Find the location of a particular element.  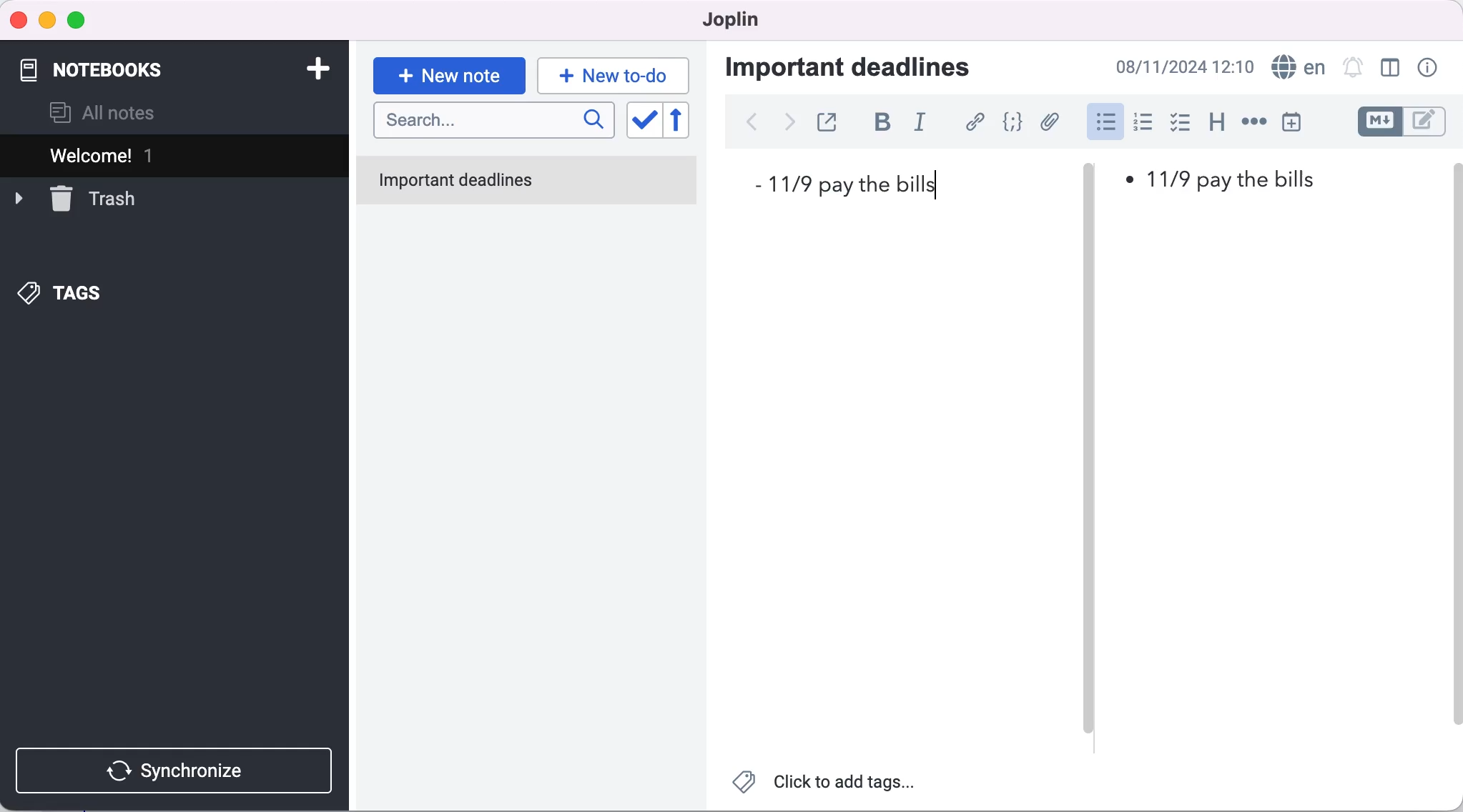

new note is located at coordinates (449, 71).